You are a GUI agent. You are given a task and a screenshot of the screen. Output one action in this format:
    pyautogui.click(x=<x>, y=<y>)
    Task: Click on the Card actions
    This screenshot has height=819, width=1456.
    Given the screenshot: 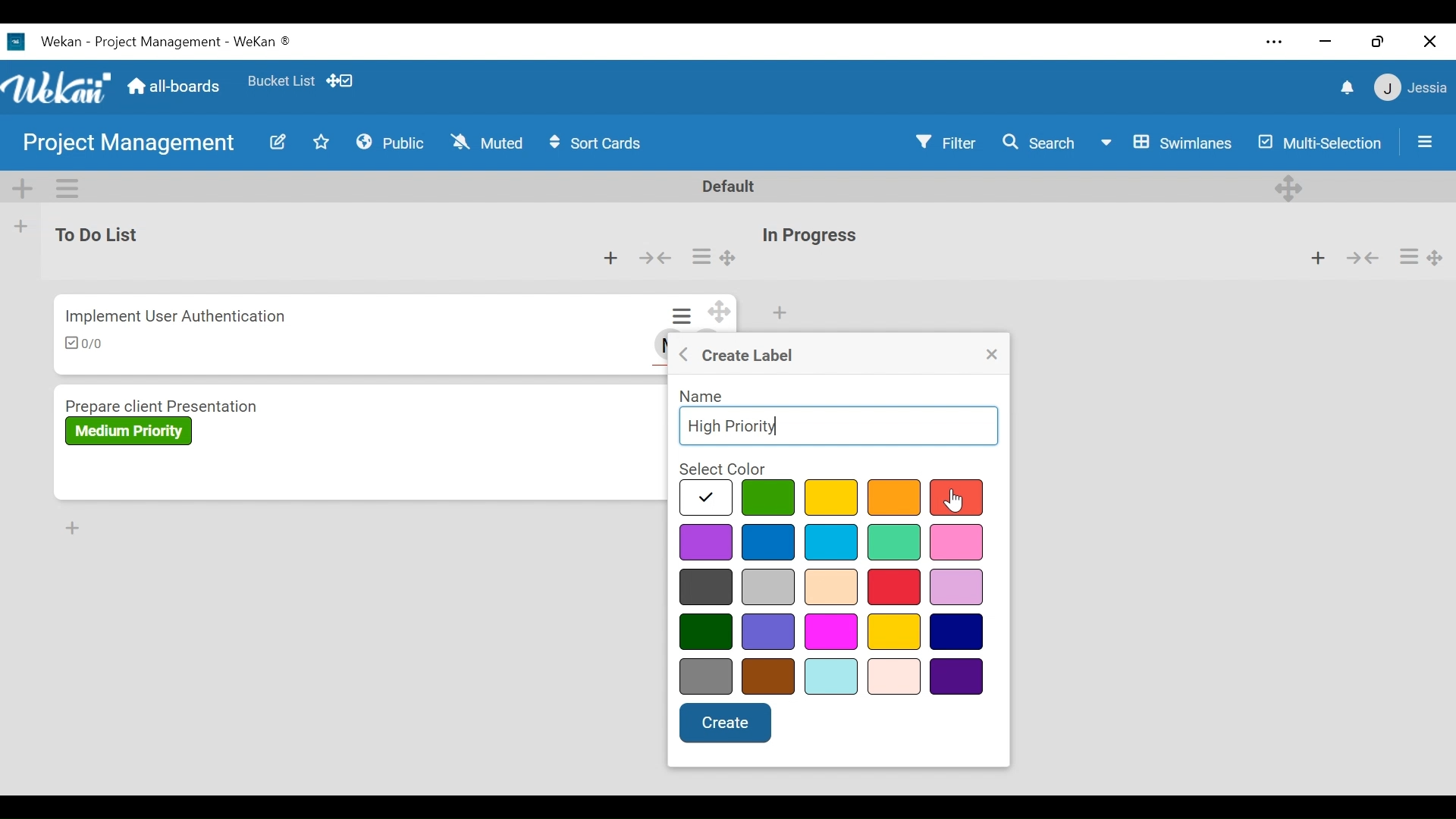 What is the action you would take?
    pyautogui.click(x=700, y=257)
    